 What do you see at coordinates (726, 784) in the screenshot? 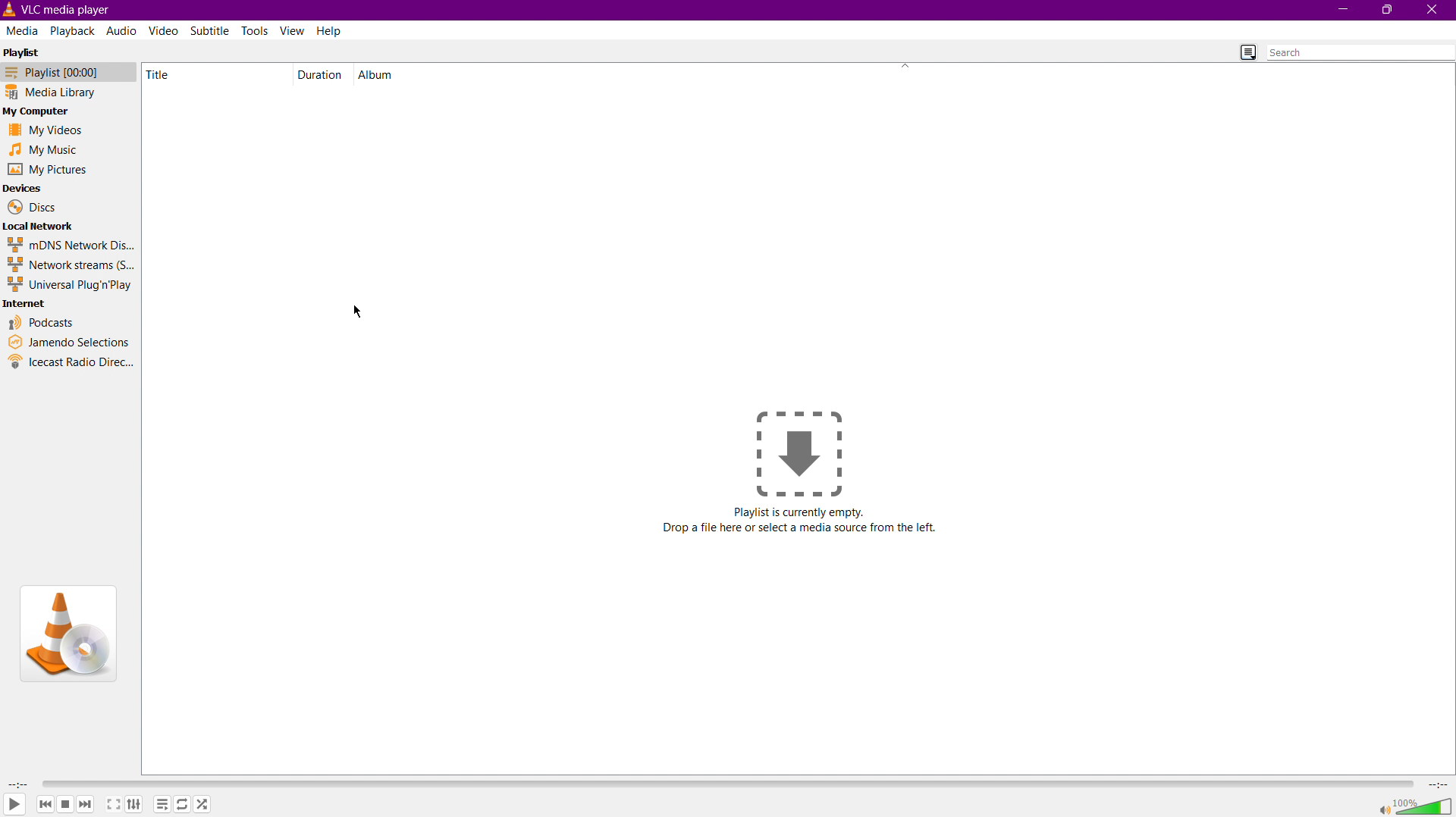
I see `Timeline` at bounding box center [726, 784].